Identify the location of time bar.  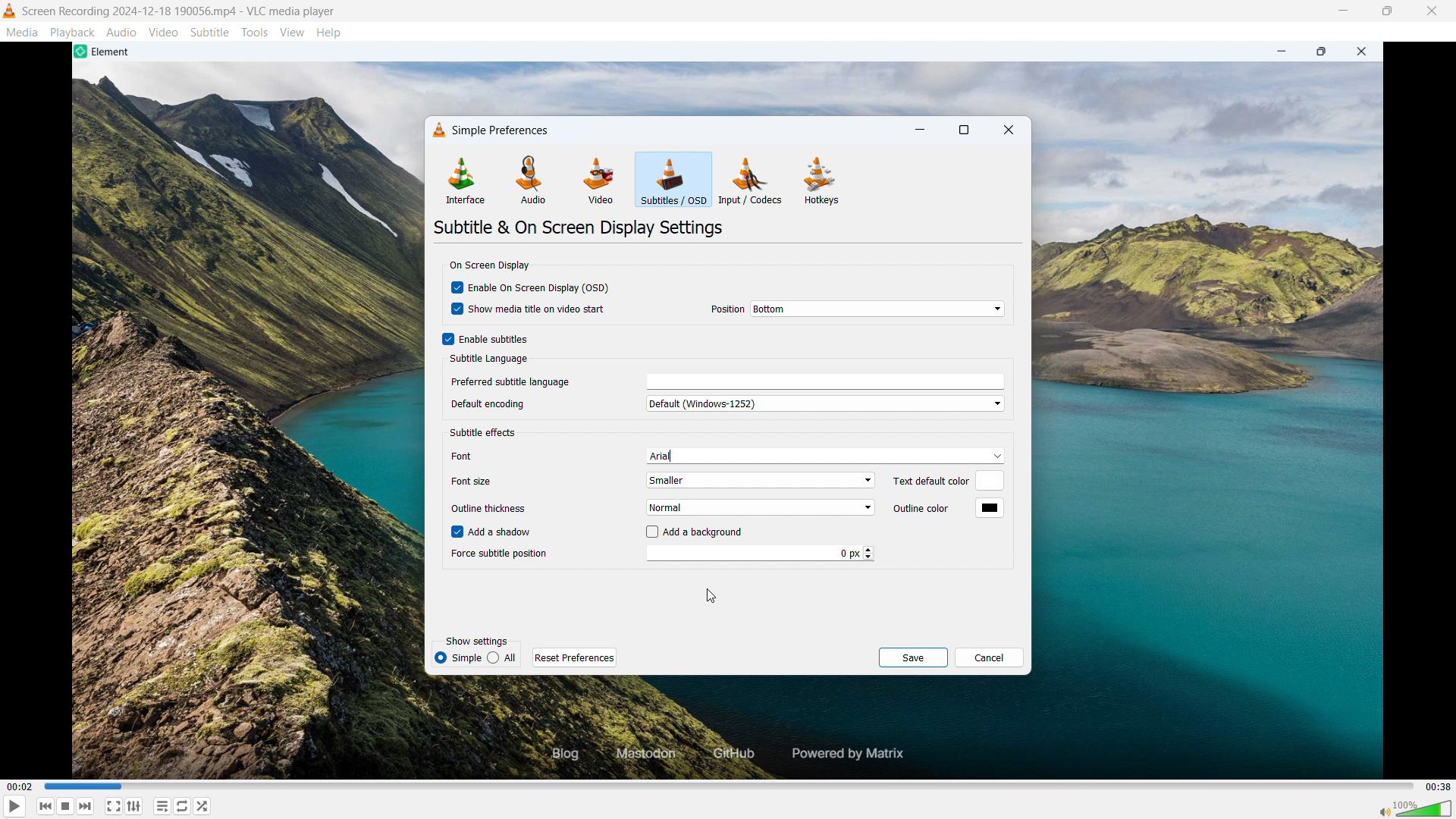
(730, 786).